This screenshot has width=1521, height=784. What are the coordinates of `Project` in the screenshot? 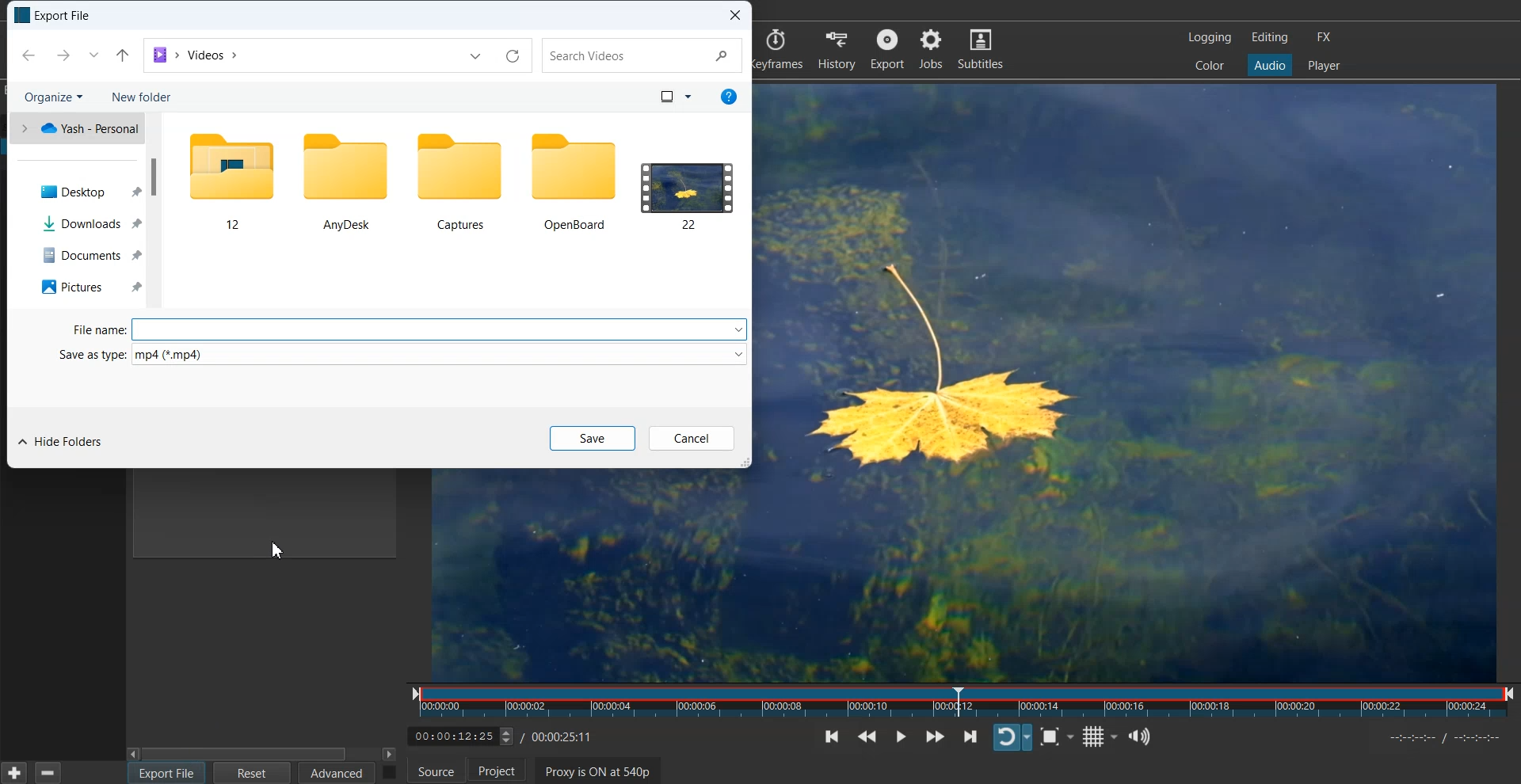 It's located at (505, 773).